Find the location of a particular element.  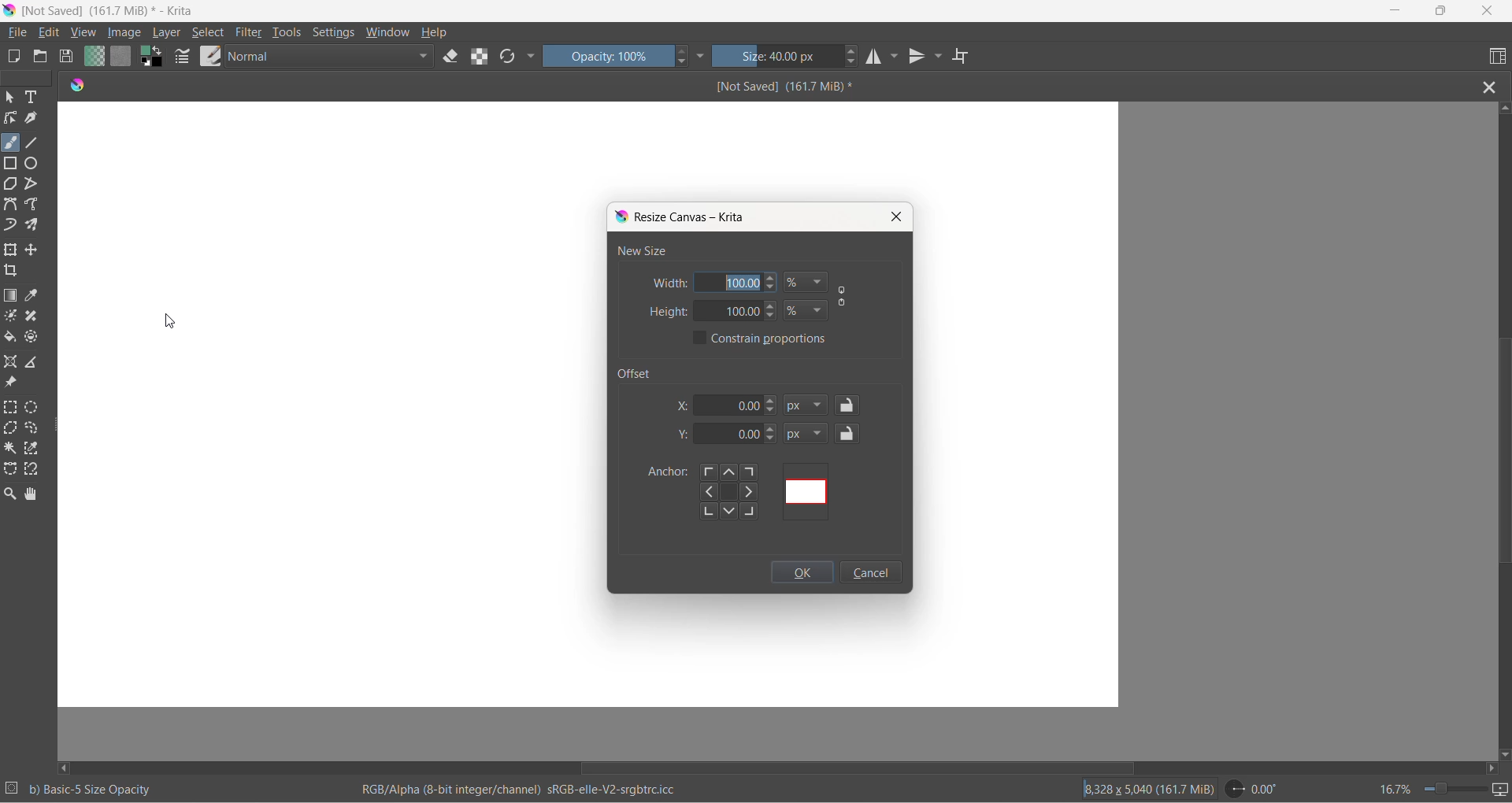

horizontal mirror tool is located at coordinates (873, 58).